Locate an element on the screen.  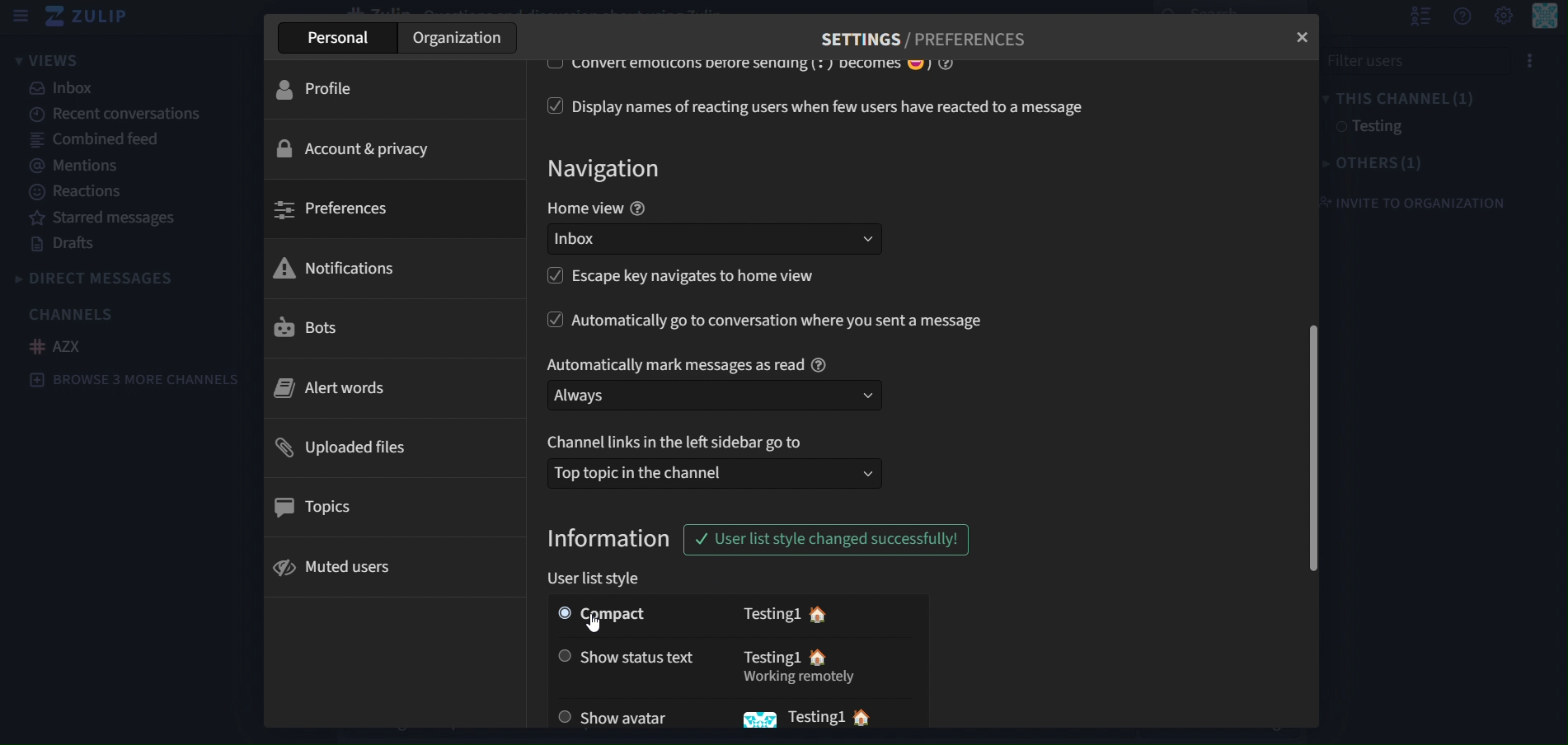
personal is located at coordinates (336, 39).